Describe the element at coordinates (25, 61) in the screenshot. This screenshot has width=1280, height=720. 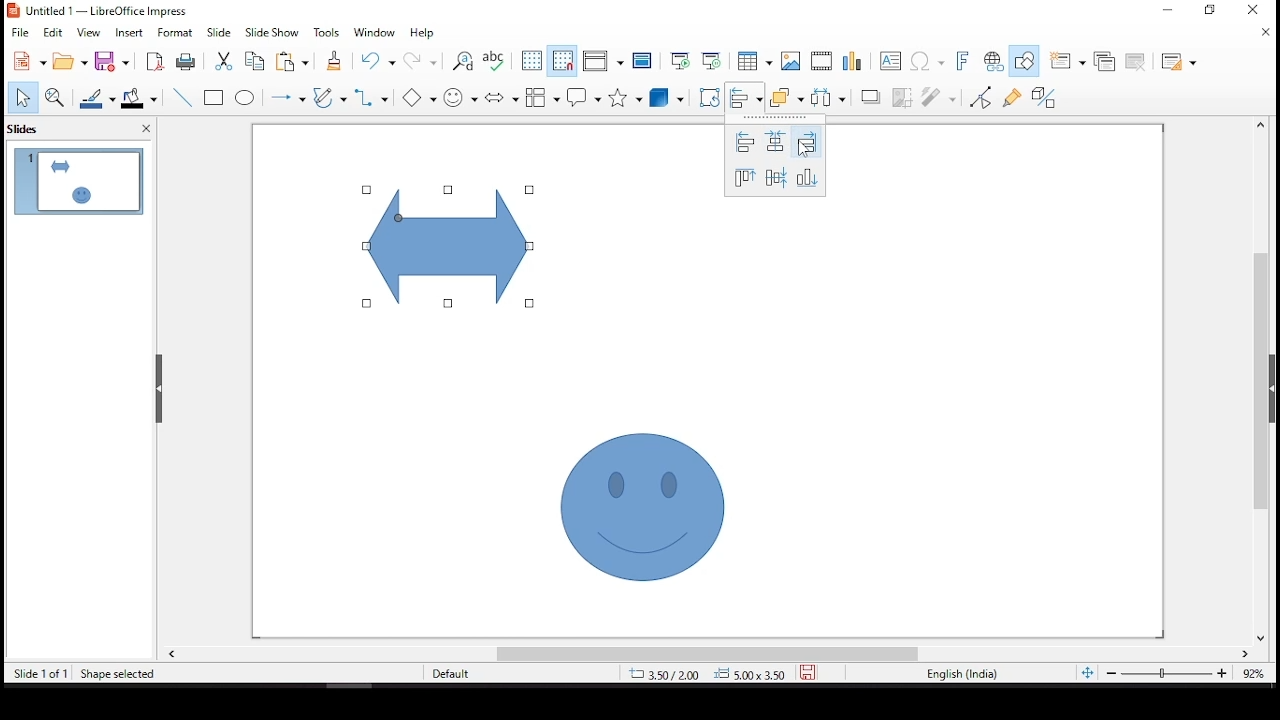
I see `new` at that location.